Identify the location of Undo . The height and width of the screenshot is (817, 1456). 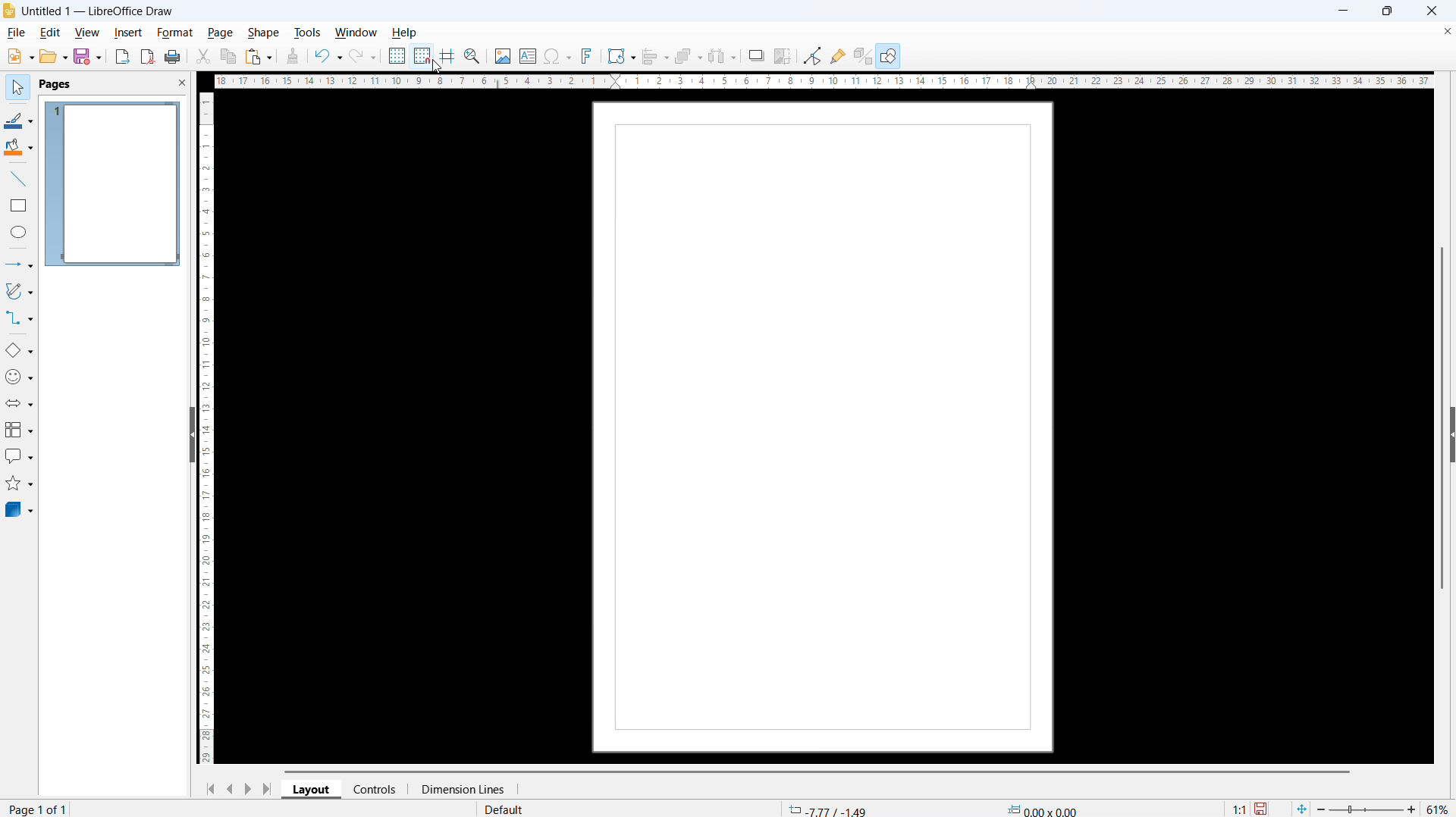
(328, 55).